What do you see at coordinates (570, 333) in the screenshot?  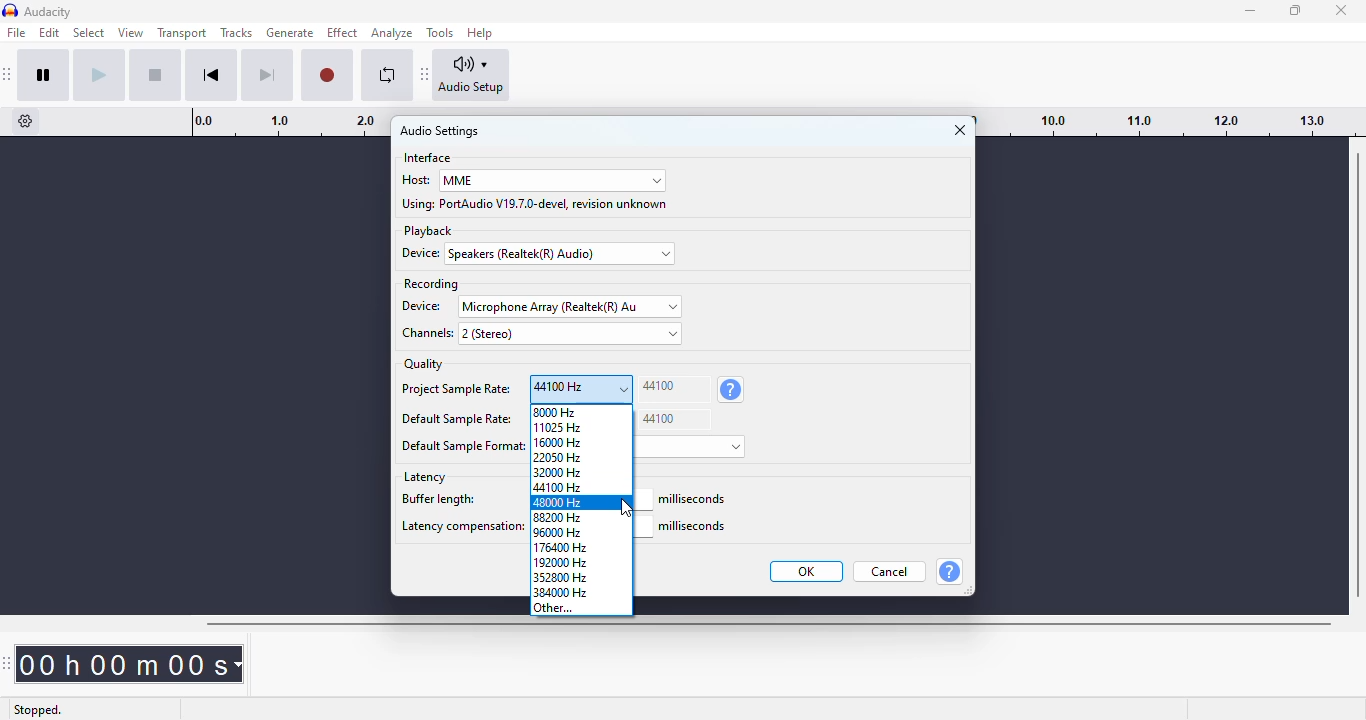 I see `select channels` at bounding box center [570, 333].